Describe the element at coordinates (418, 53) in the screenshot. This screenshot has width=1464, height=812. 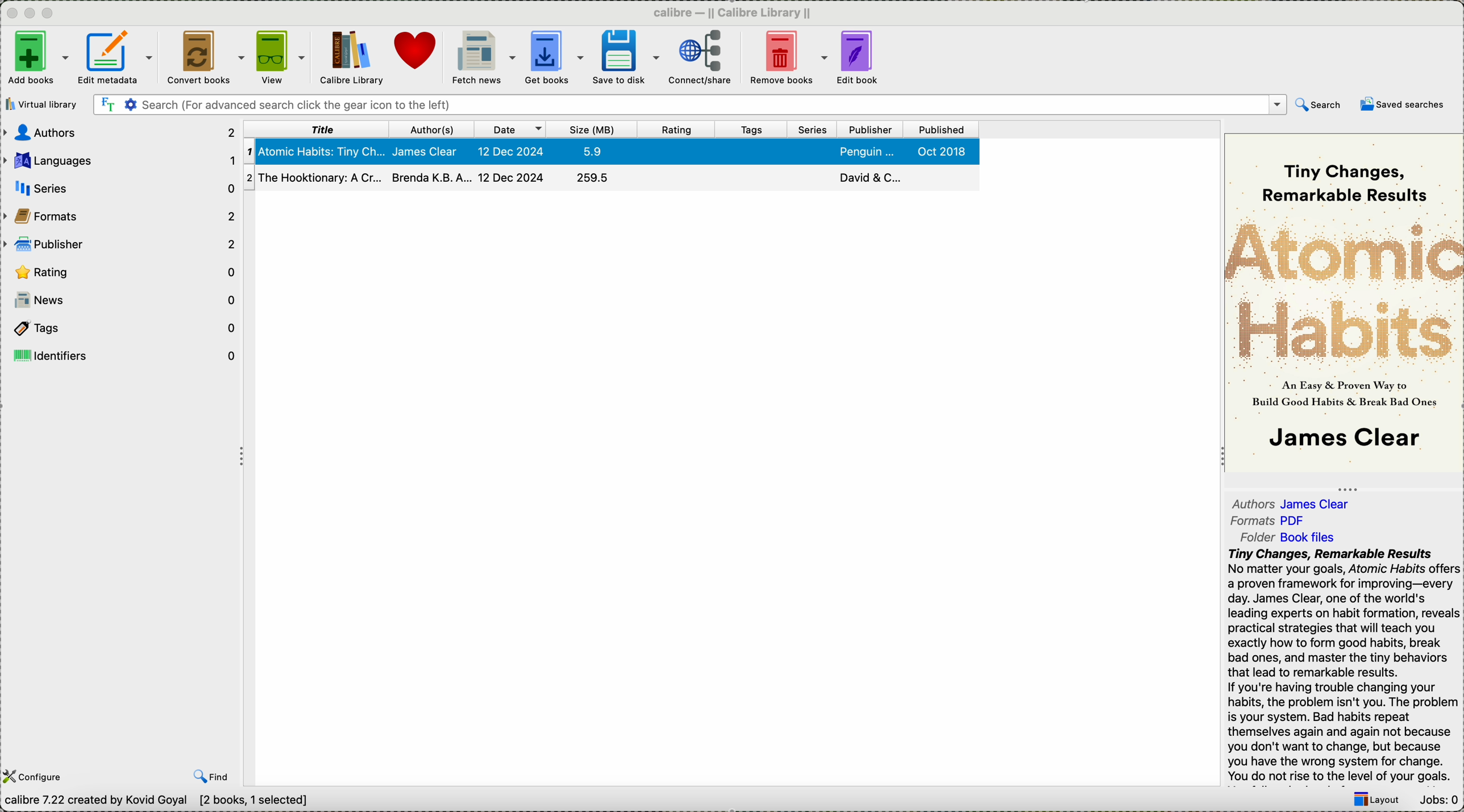
I see `donate` at that location.